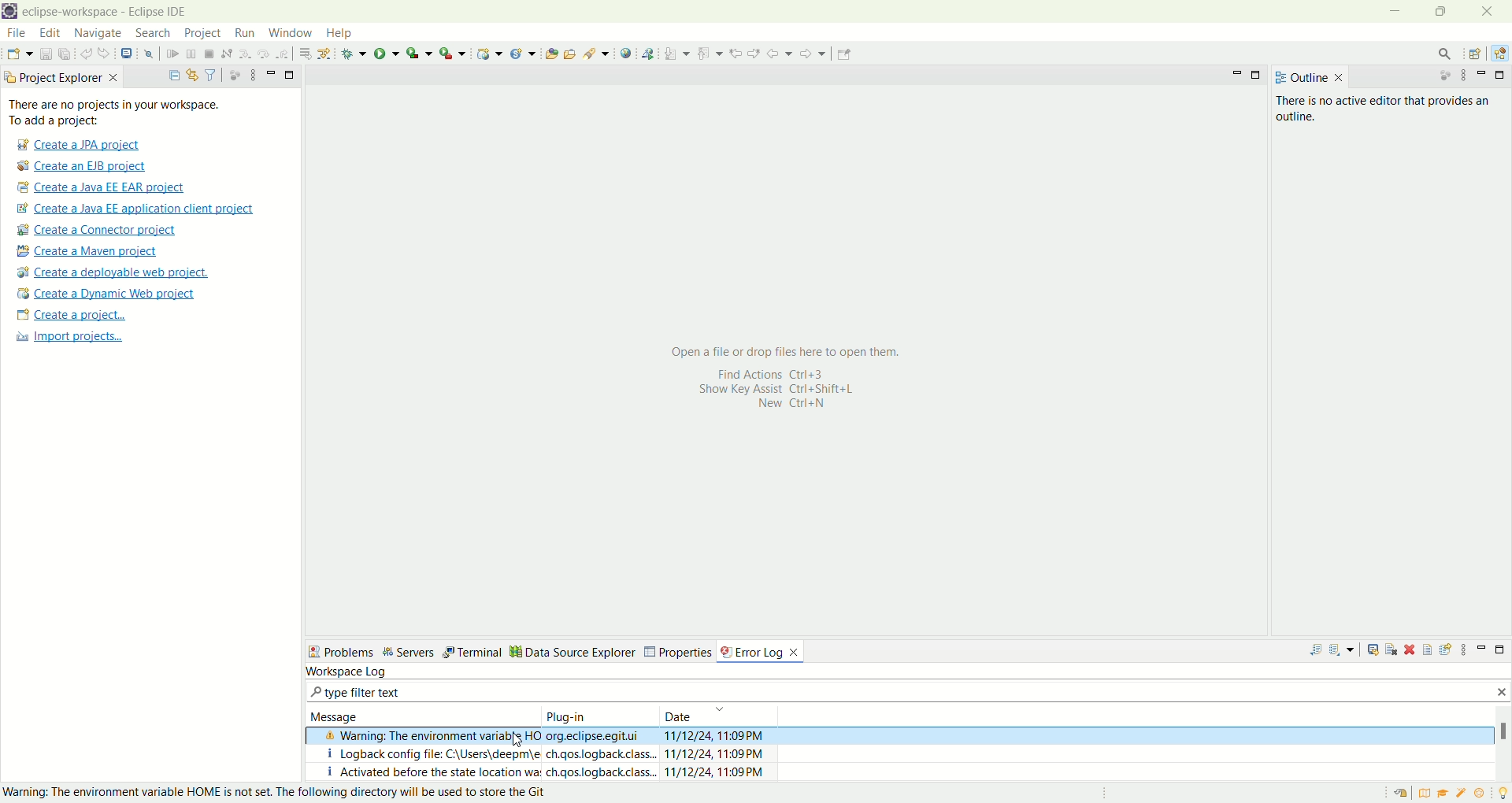  I want to click on create a project, so click(69, 316).